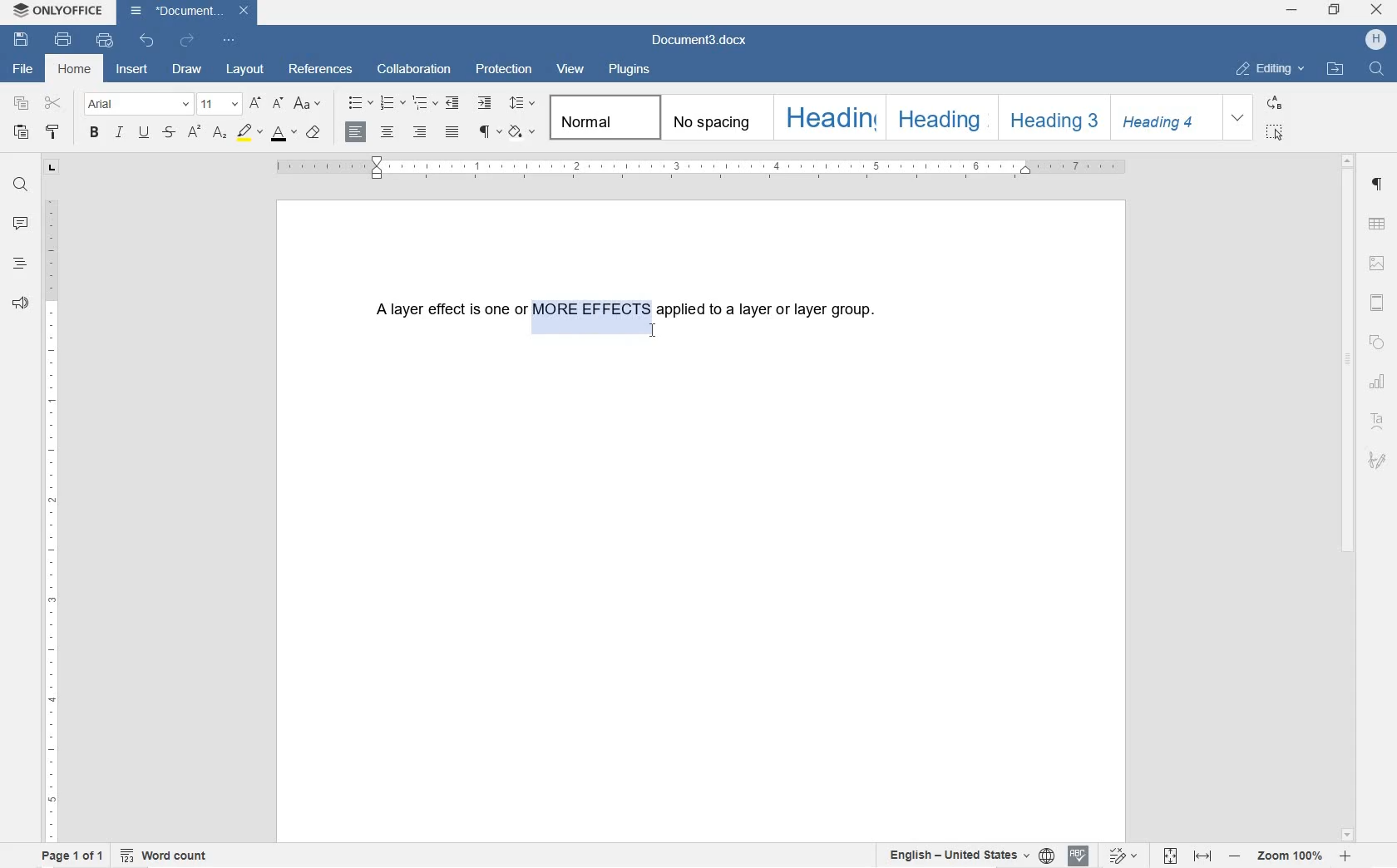  Describe the element at coordinates (19, 304) in the screenshot. I see `FEEDBACK & SUPPORT` at that location.